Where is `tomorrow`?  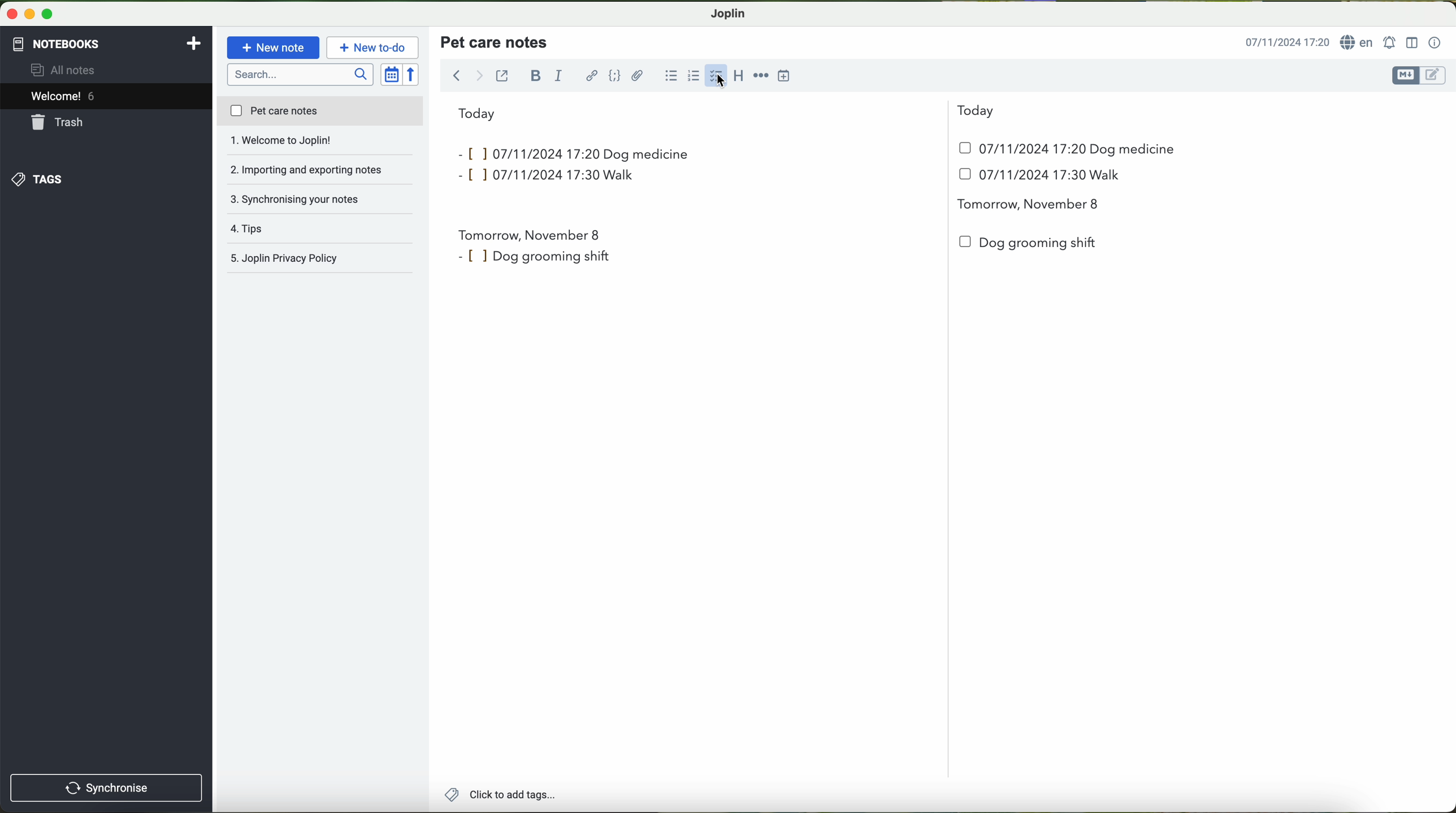 tomorrow is located at coordinates (530, 232).